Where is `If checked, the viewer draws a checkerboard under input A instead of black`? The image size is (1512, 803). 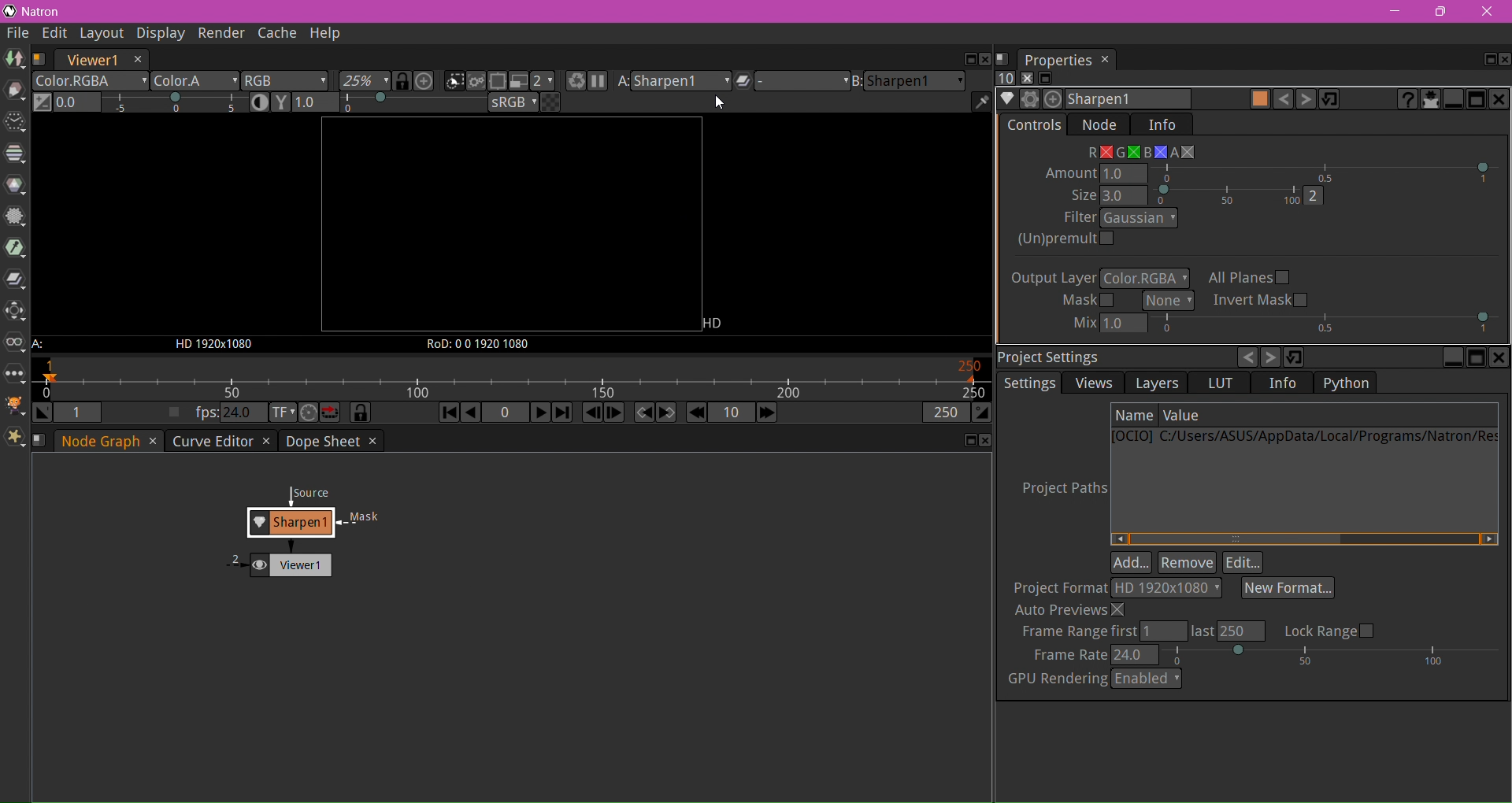
If checked, the viewer draws a checkerboard under input A instead of black is located at coordinates (550, 102).